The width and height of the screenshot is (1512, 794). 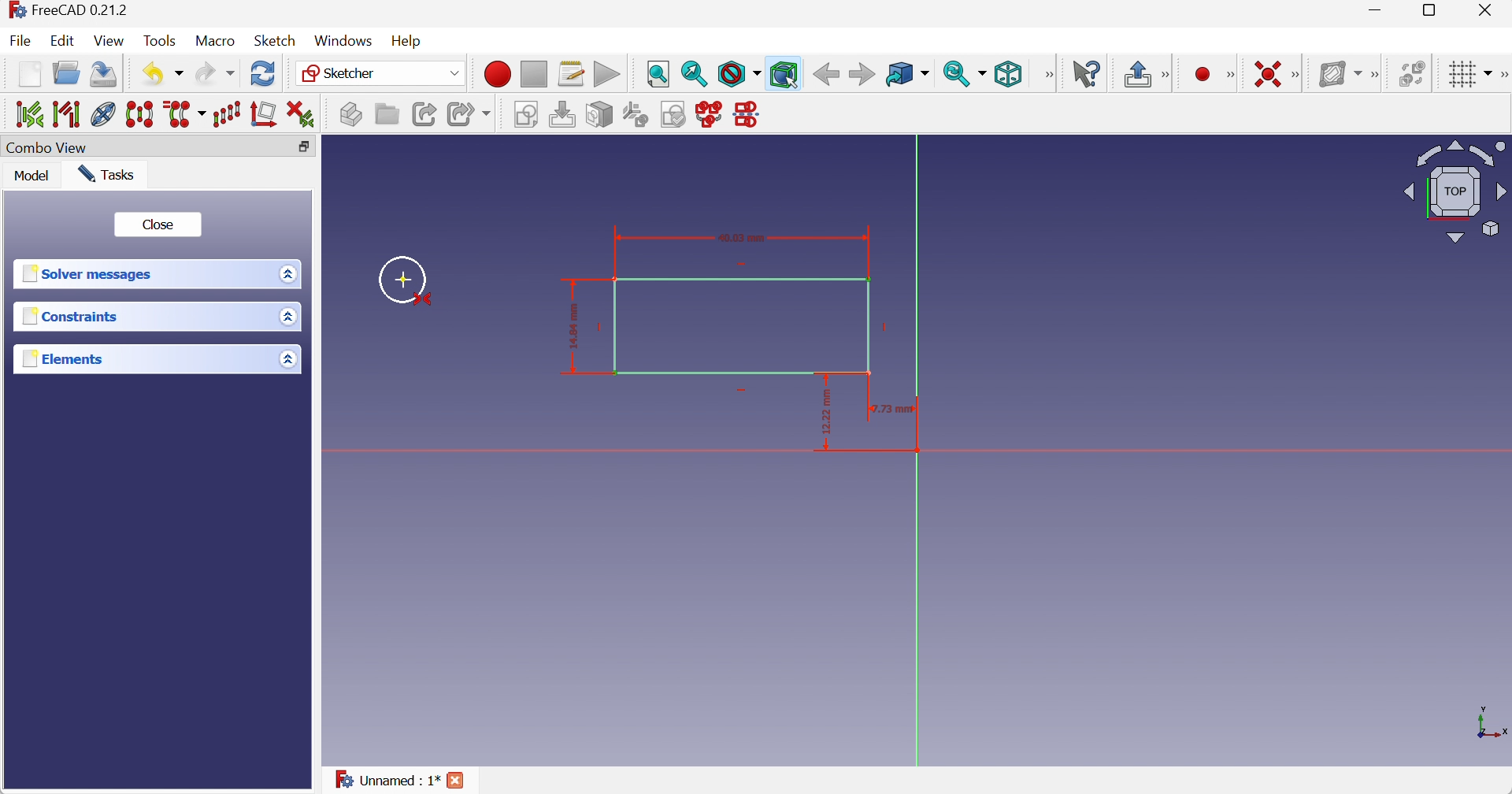 What do you see at coordinates (876, 421) in the screenshot?
I see `rectangular dimension` at bounding box center [876, 421].